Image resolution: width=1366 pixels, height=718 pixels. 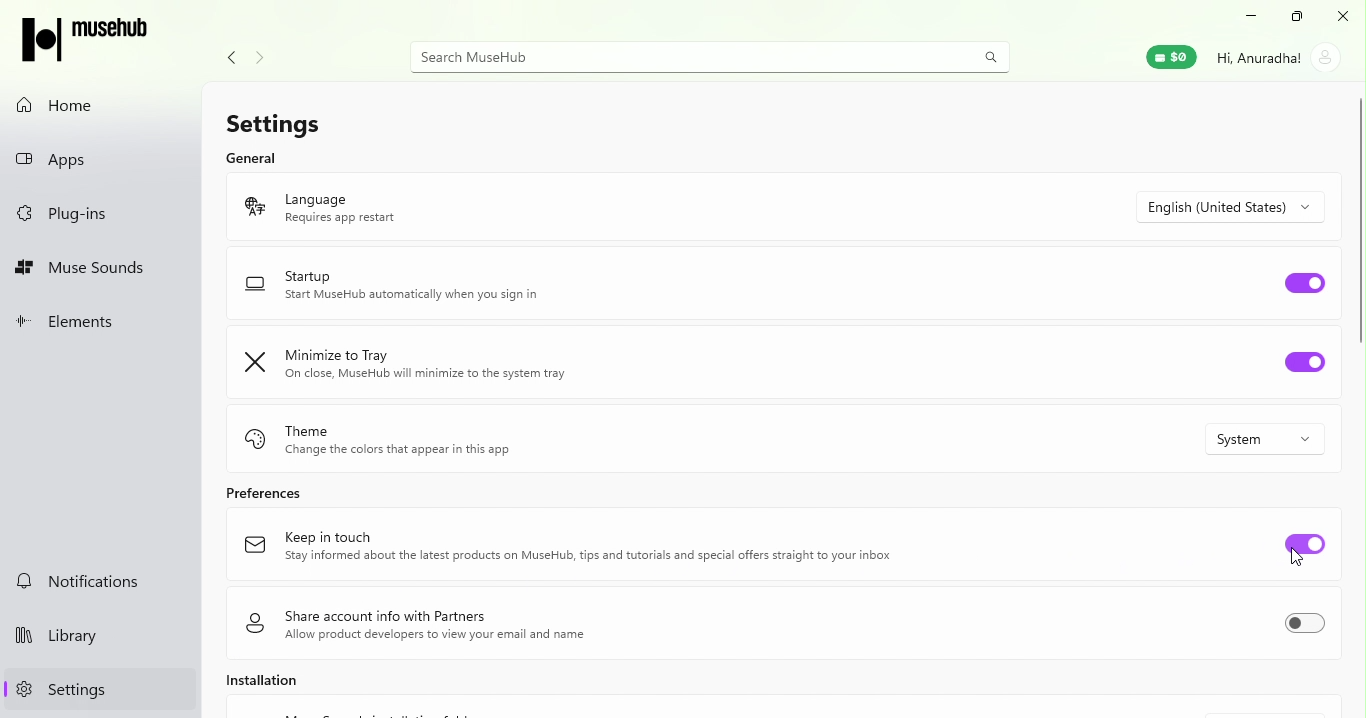 What do you see at coordinates (100, 323) in the screenshot?
I see `Elements` at bounding box center [100, 323].